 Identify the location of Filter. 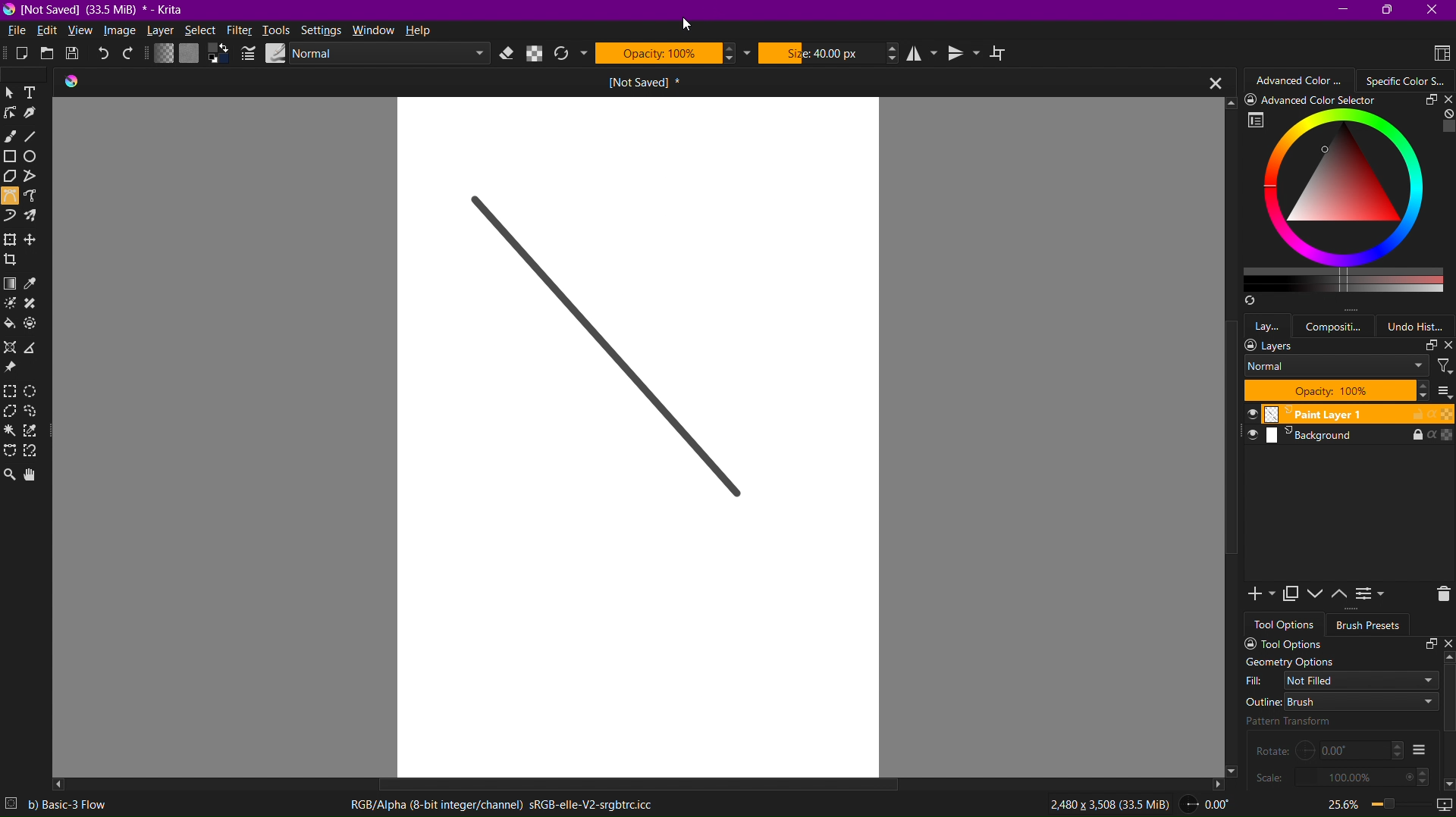
(239, 30).